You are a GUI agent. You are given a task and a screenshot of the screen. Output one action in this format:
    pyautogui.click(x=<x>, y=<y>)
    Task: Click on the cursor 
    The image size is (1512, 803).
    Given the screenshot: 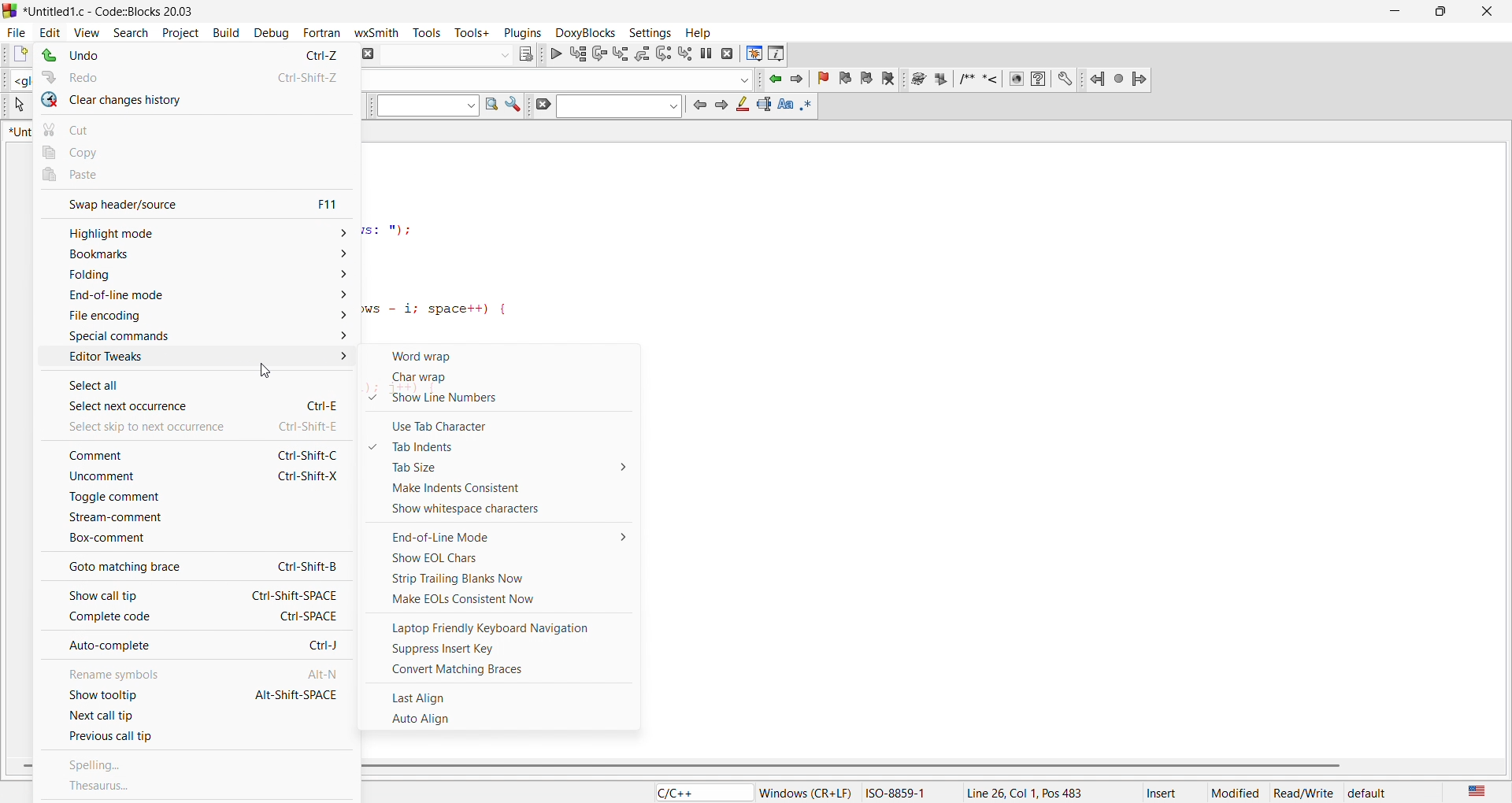 What is the action you would take?
    pyautogui.click(x=268, y=368)
    